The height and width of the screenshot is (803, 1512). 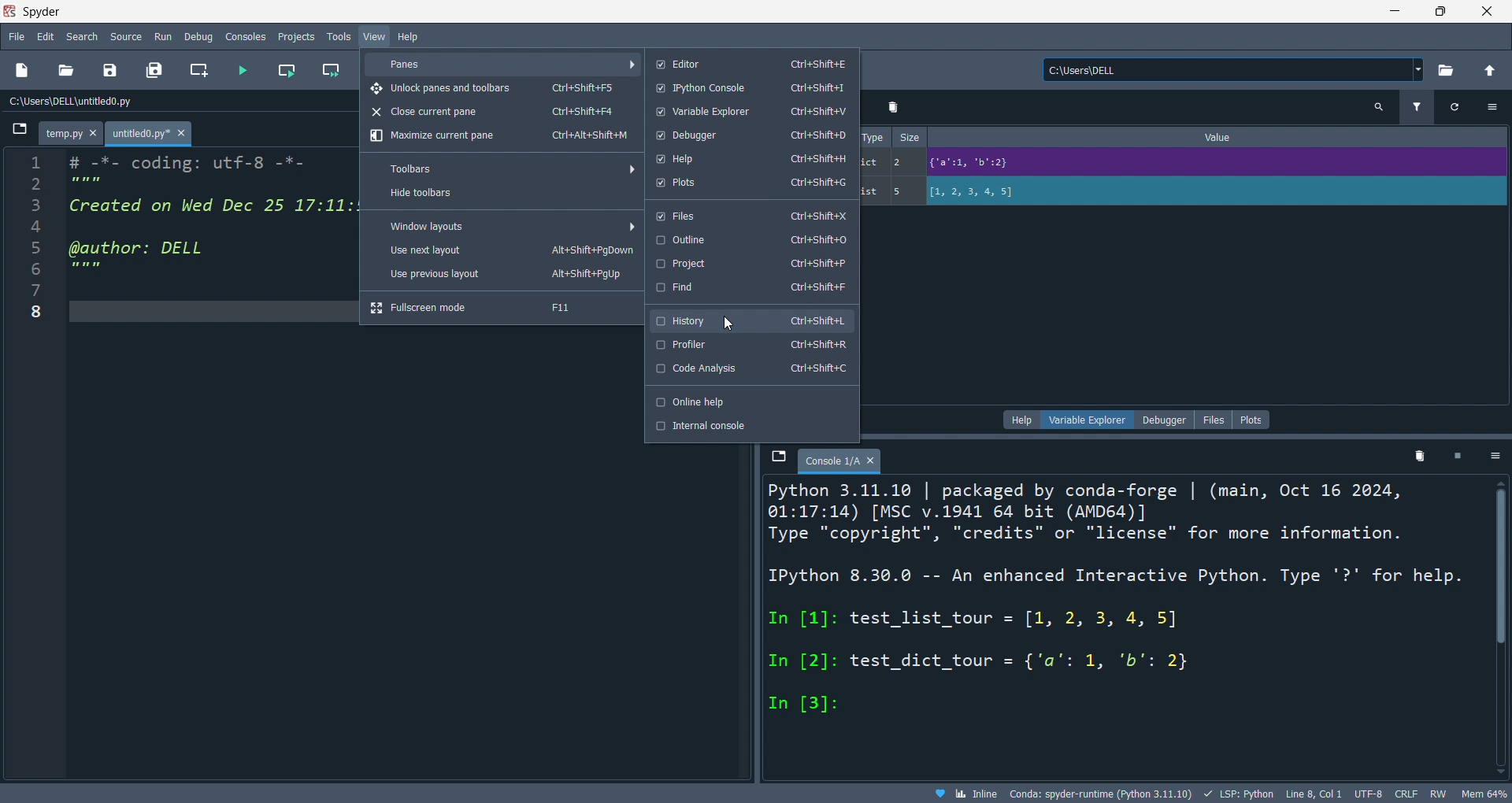 What do you see at coordinates (750, 264) in the screenshot?
I see `project` at bounding box center [750, 264].